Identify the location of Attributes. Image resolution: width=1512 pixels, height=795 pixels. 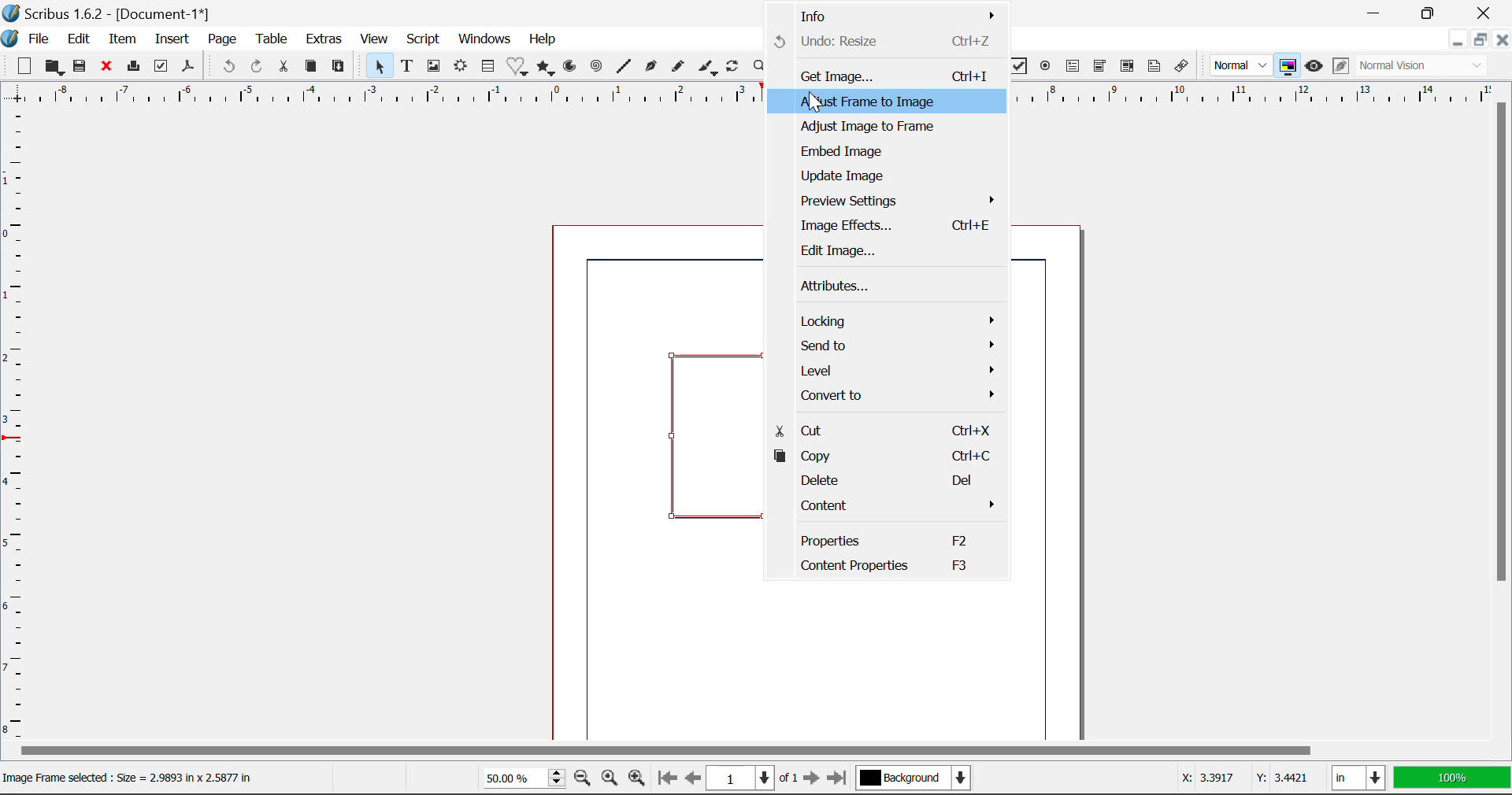
(888, 284).